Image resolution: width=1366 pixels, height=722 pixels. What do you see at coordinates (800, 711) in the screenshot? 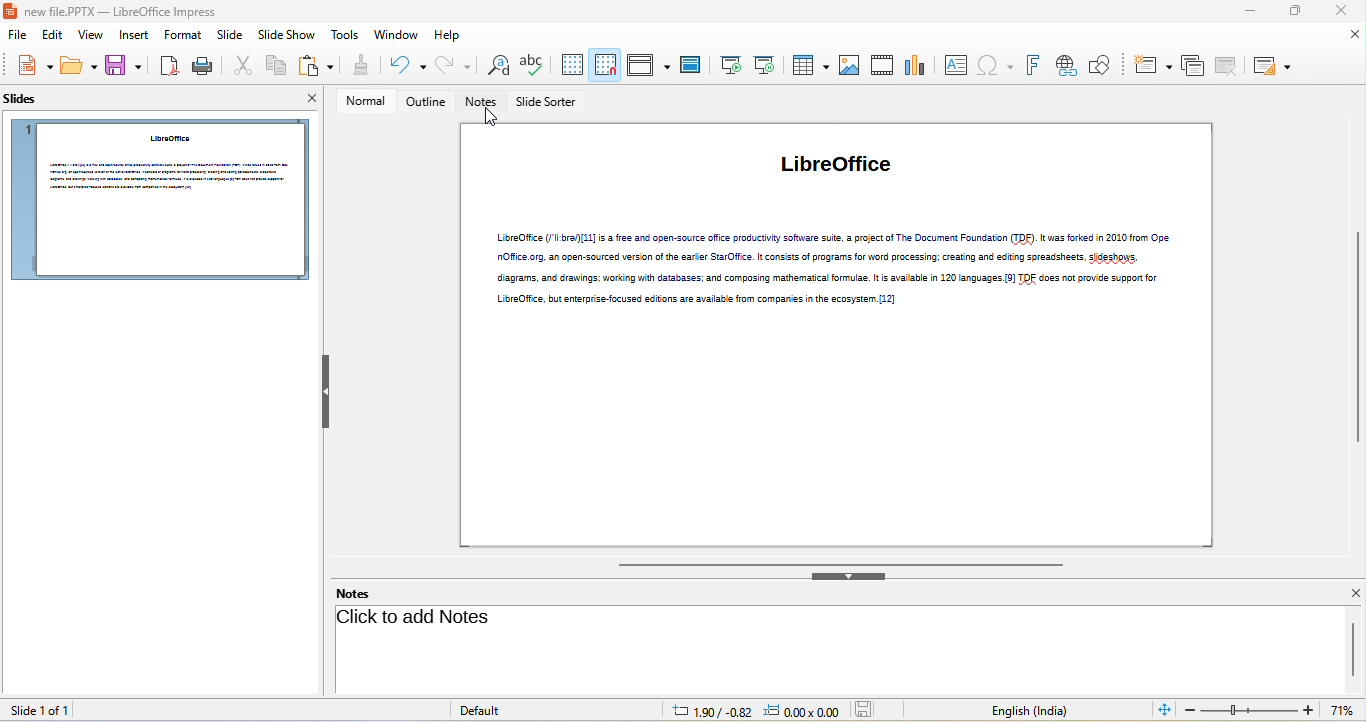
I see `0.00x0.00` at bounding box center [800, 711].